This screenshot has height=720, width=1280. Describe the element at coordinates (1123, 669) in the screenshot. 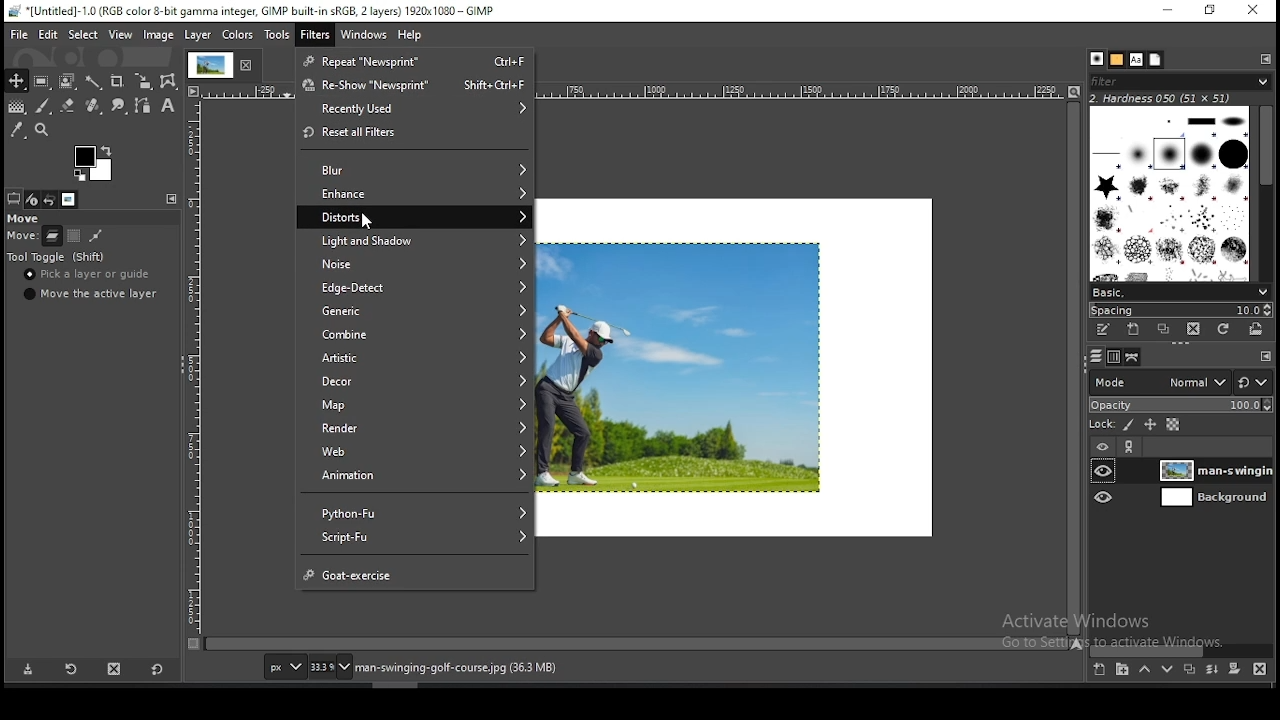

I see `create a new layer group` at that location.